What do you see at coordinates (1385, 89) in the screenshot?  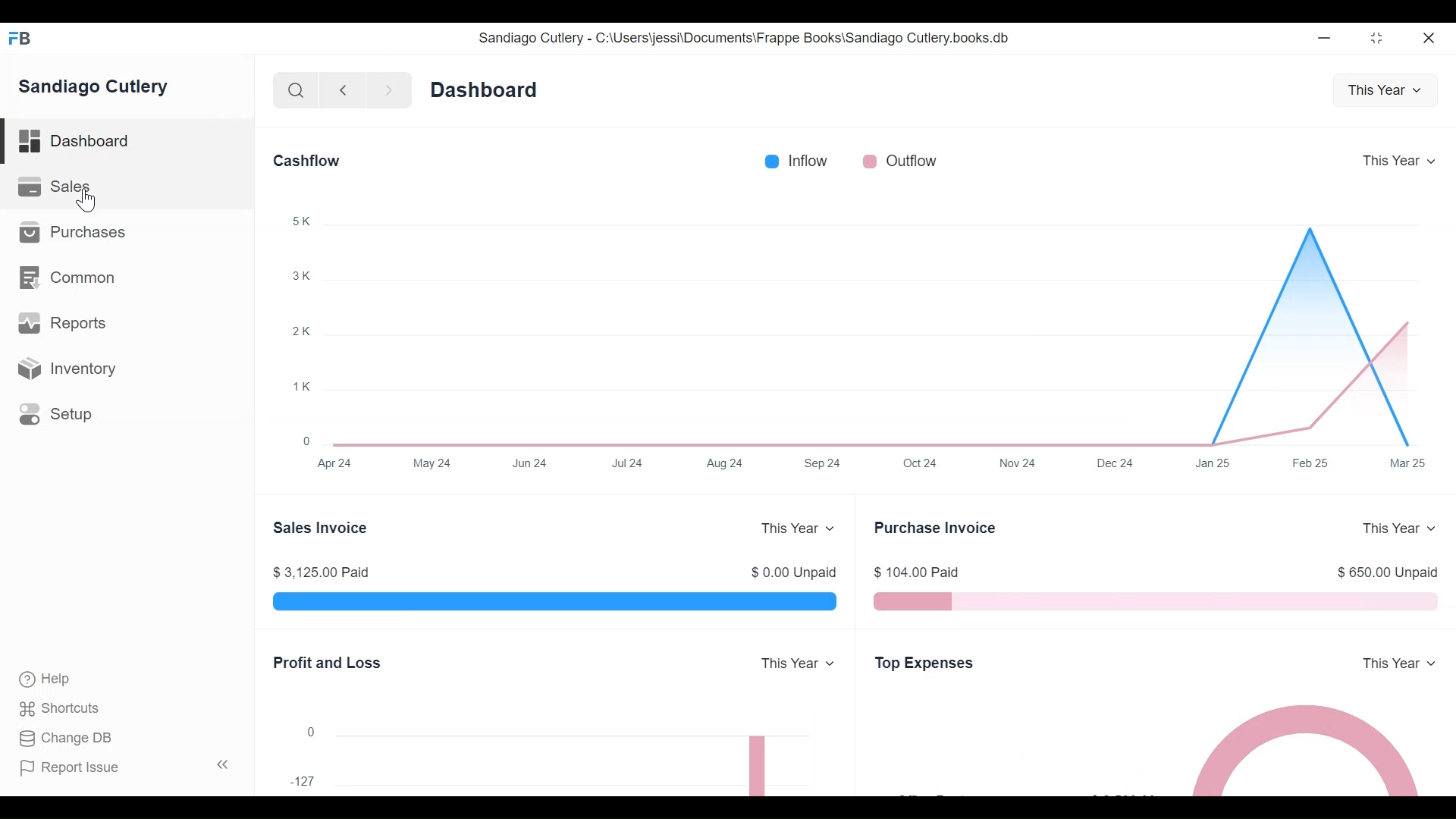 I see `This year` at bounding box center [1385, 89].